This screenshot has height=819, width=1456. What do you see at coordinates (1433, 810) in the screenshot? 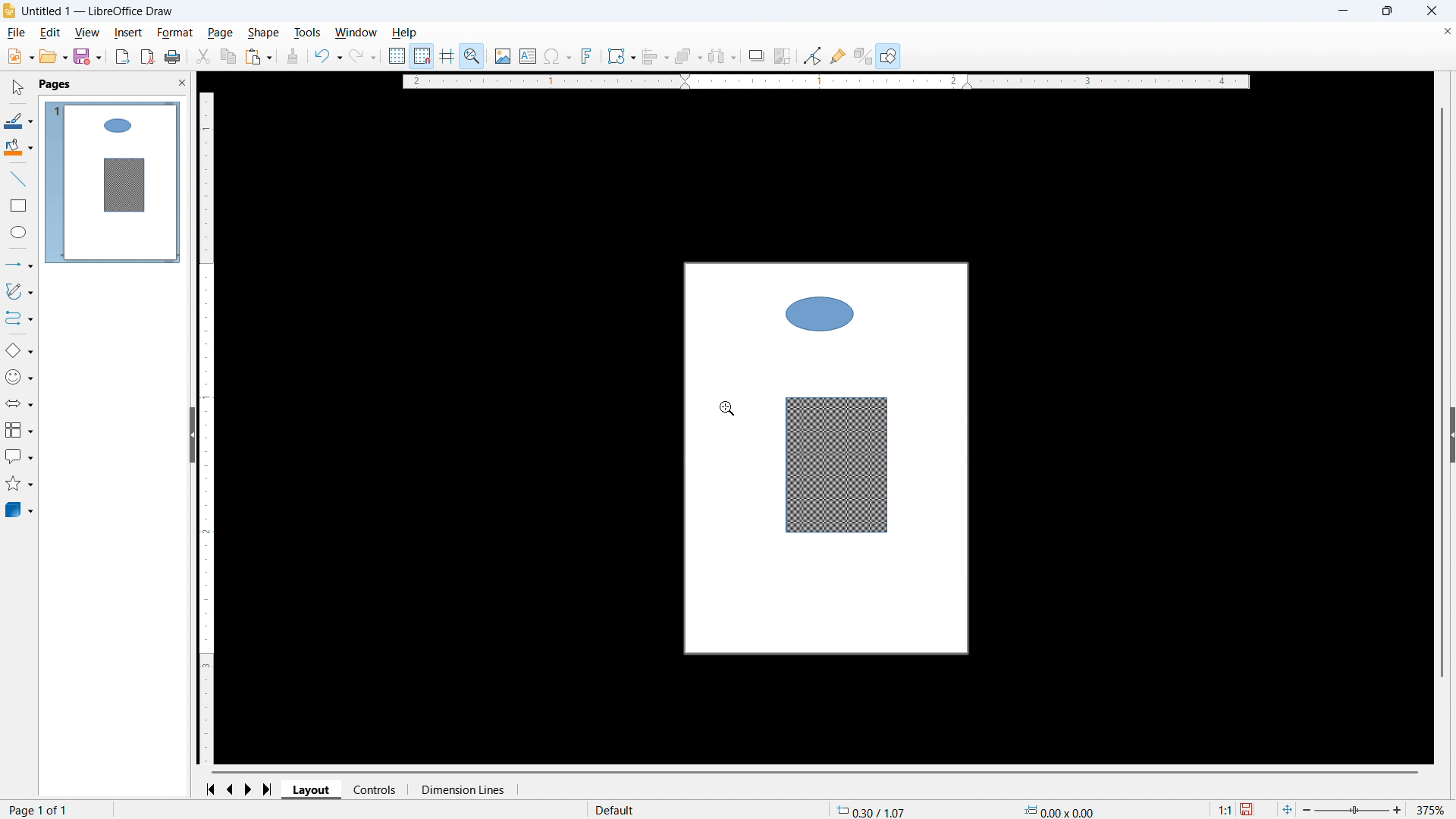
I see `Zoom level updated ` at bounding box center [1433, 810].